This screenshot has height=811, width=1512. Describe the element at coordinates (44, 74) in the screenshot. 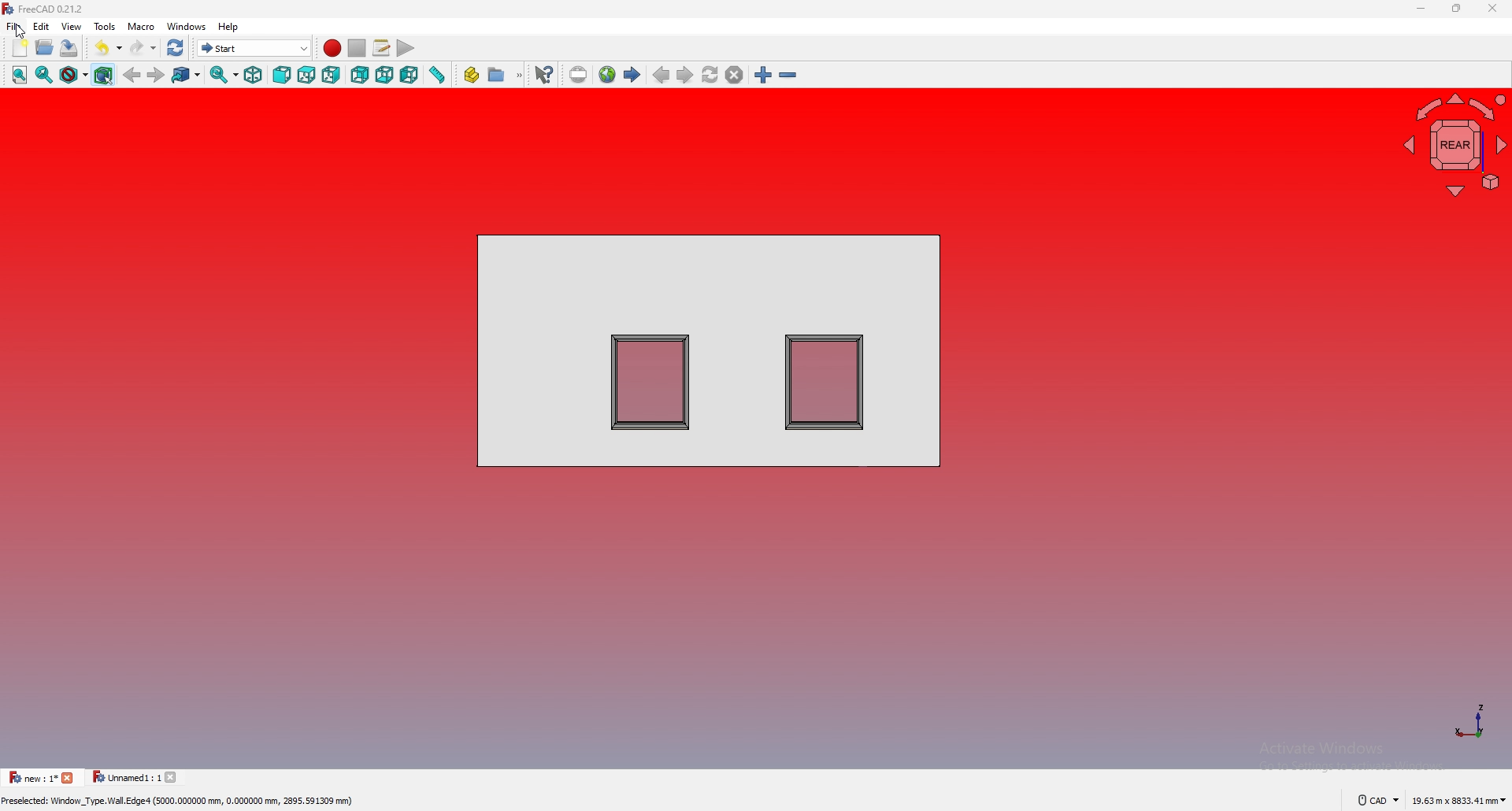

I see `fit selection` at that location.